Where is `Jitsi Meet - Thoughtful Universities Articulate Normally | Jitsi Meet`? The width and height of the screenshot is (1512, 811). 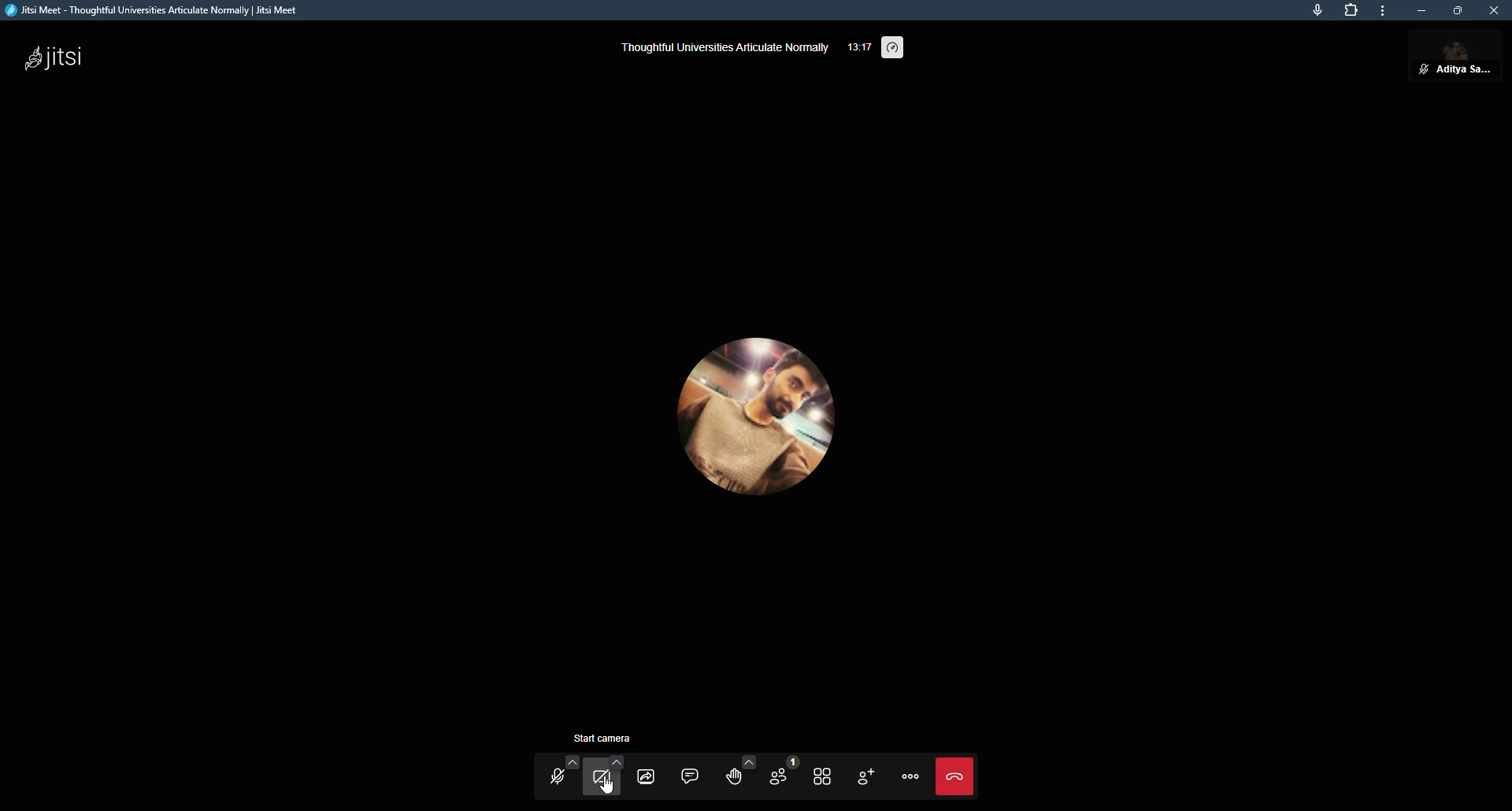
Jitsi Meet - Thoughtful Universities Articulate Normally | Jitsi Meet is located at coordinates (165, 10).